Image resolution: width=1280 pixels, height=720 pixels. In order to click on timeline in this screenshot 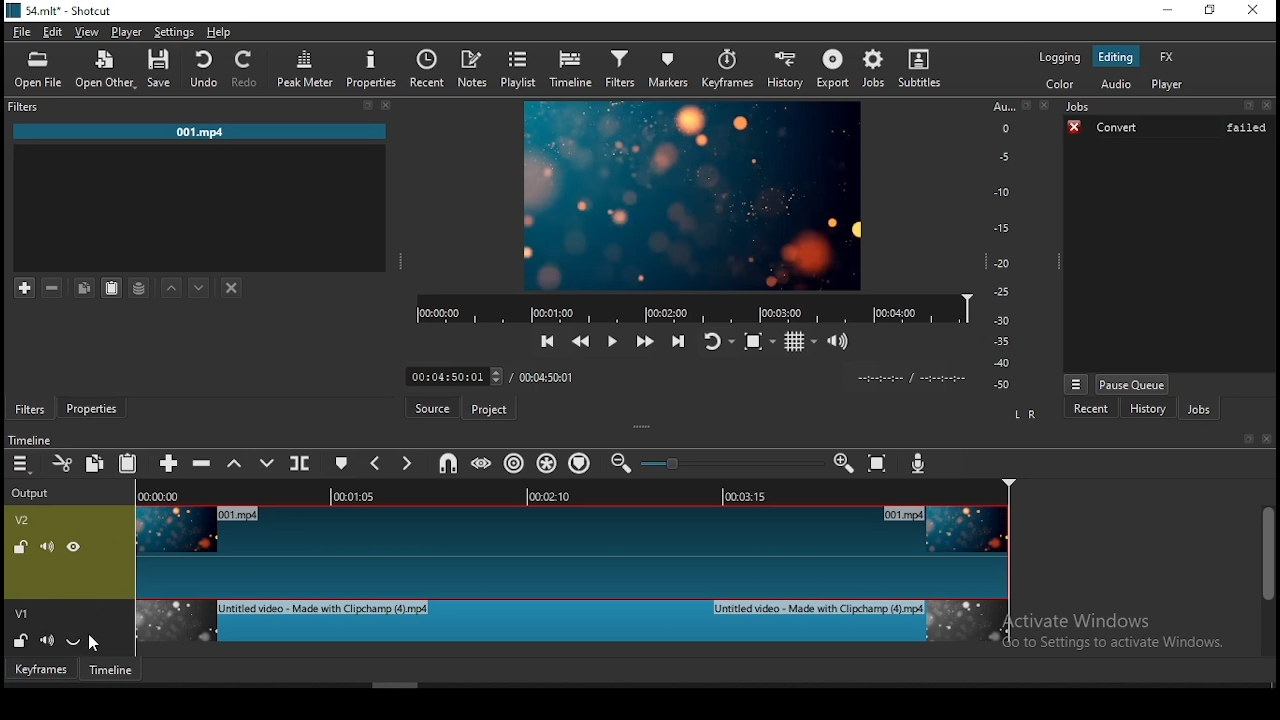, I will do `click(30, 441)`.